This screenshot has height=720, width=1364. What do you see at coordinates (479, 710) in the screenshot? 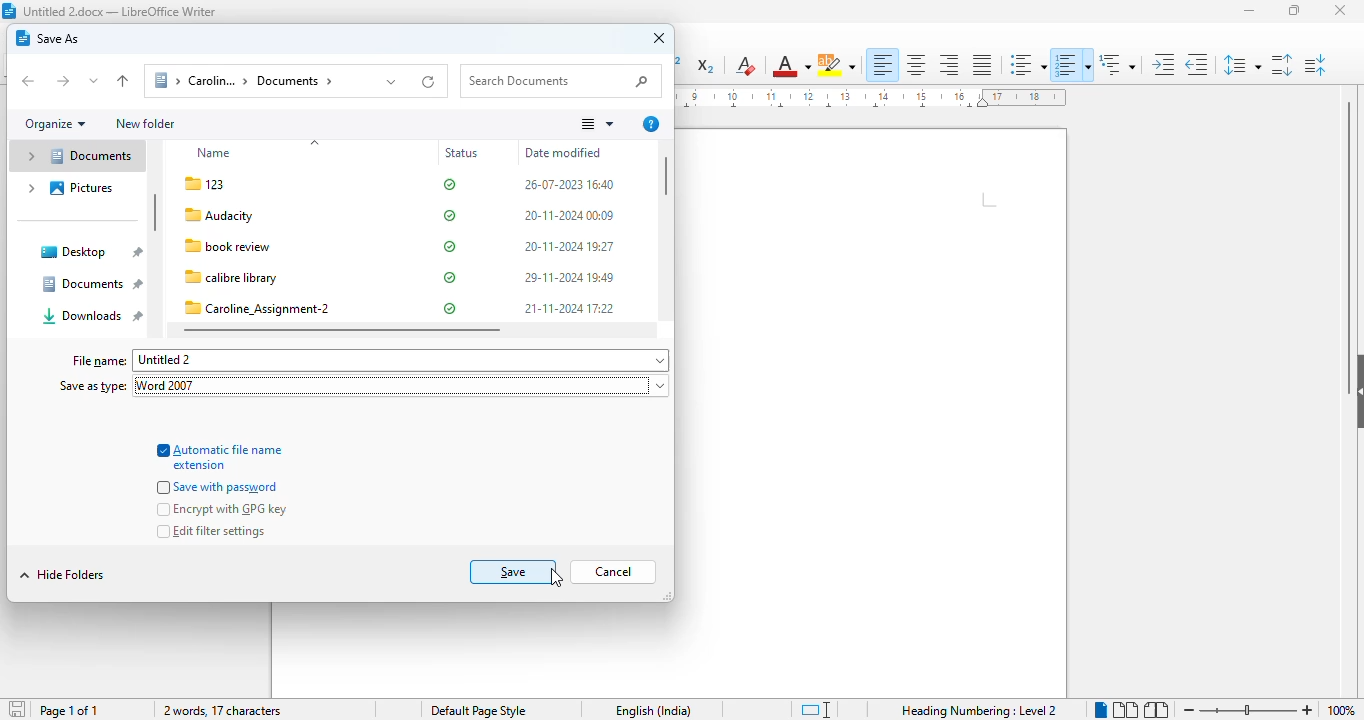
I see `page style` at bounding box center [479, 710].